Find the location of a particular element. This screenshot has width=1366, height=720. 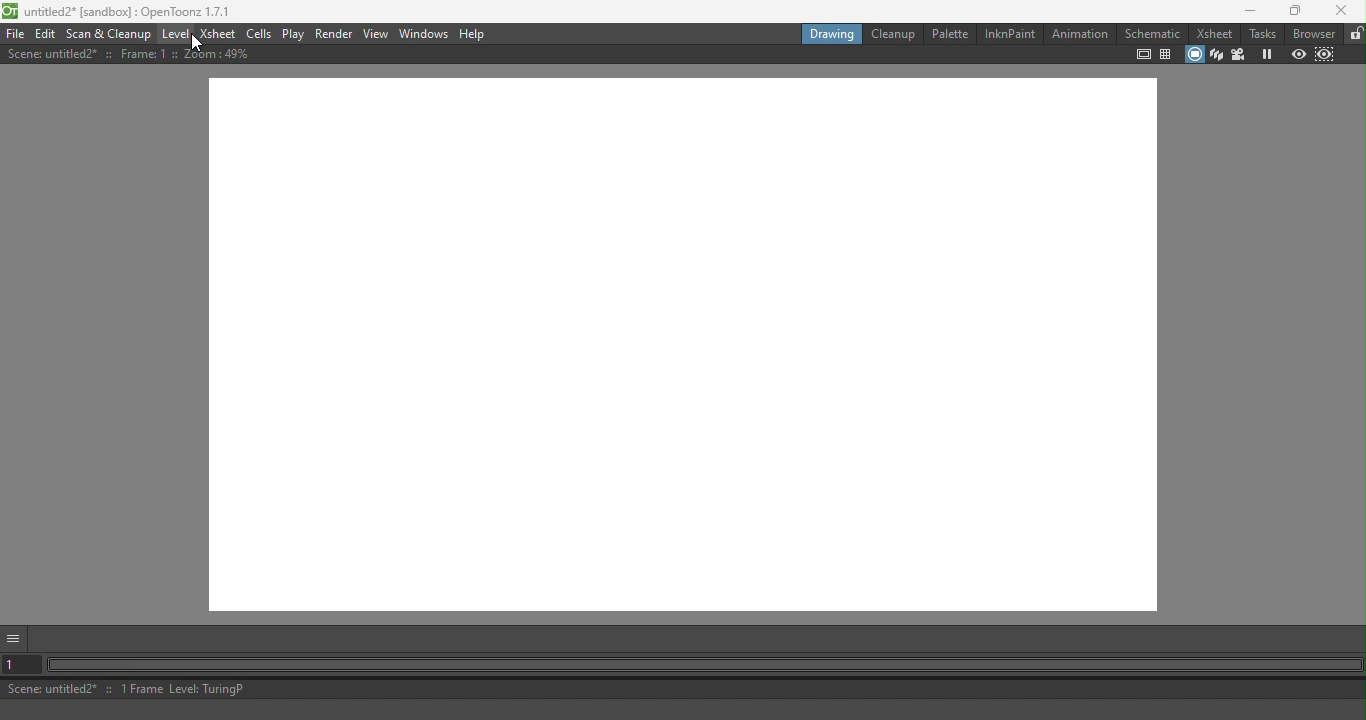

File name is located at coordinates (116, 11).